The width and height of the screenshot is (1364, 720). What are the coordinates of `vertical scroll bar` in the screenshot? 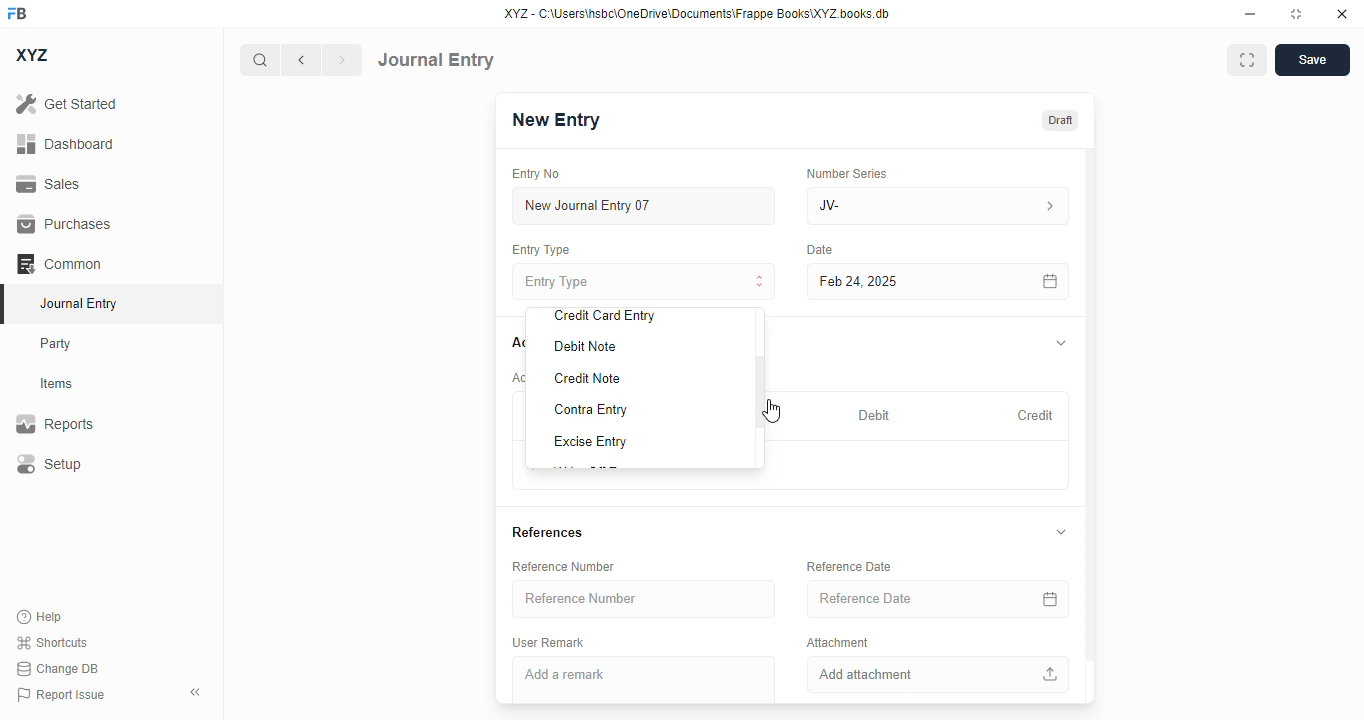 It's located at (1090, 426).